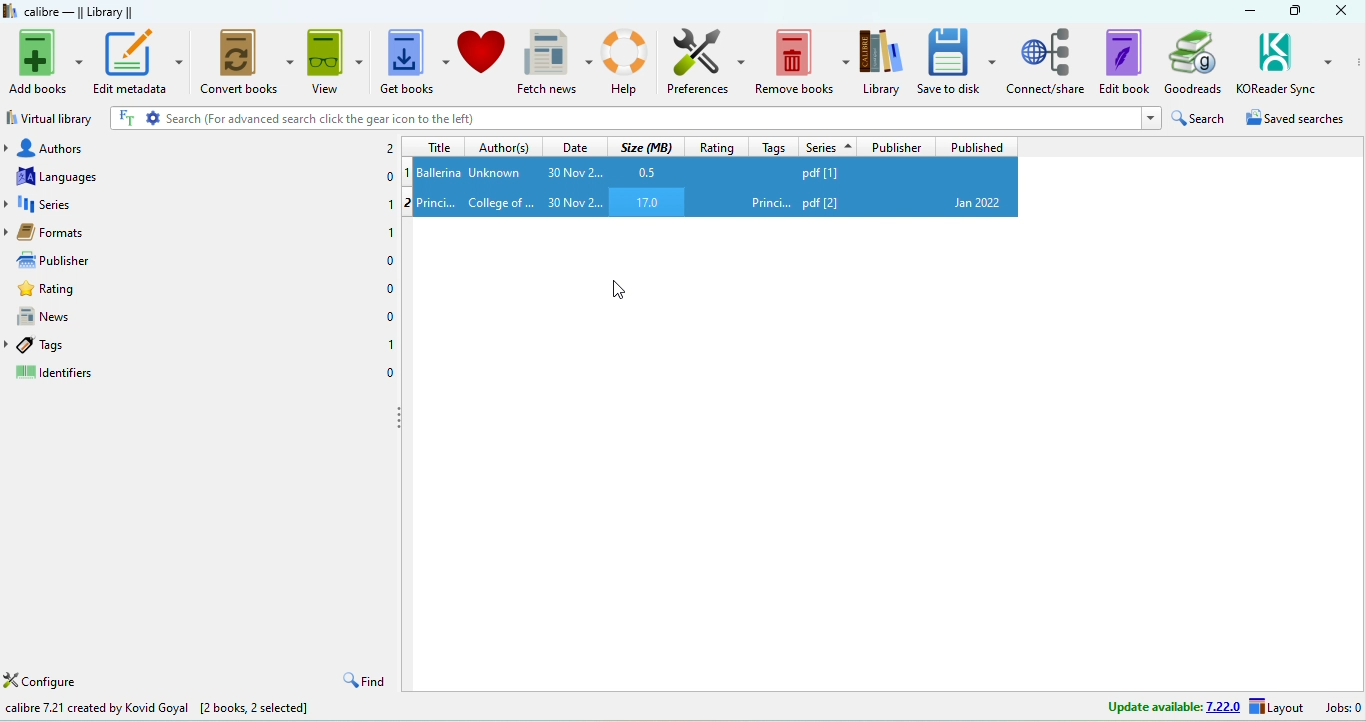 This screenshot has width=1366, height=722. I want to click on 0, so click(389, 372).